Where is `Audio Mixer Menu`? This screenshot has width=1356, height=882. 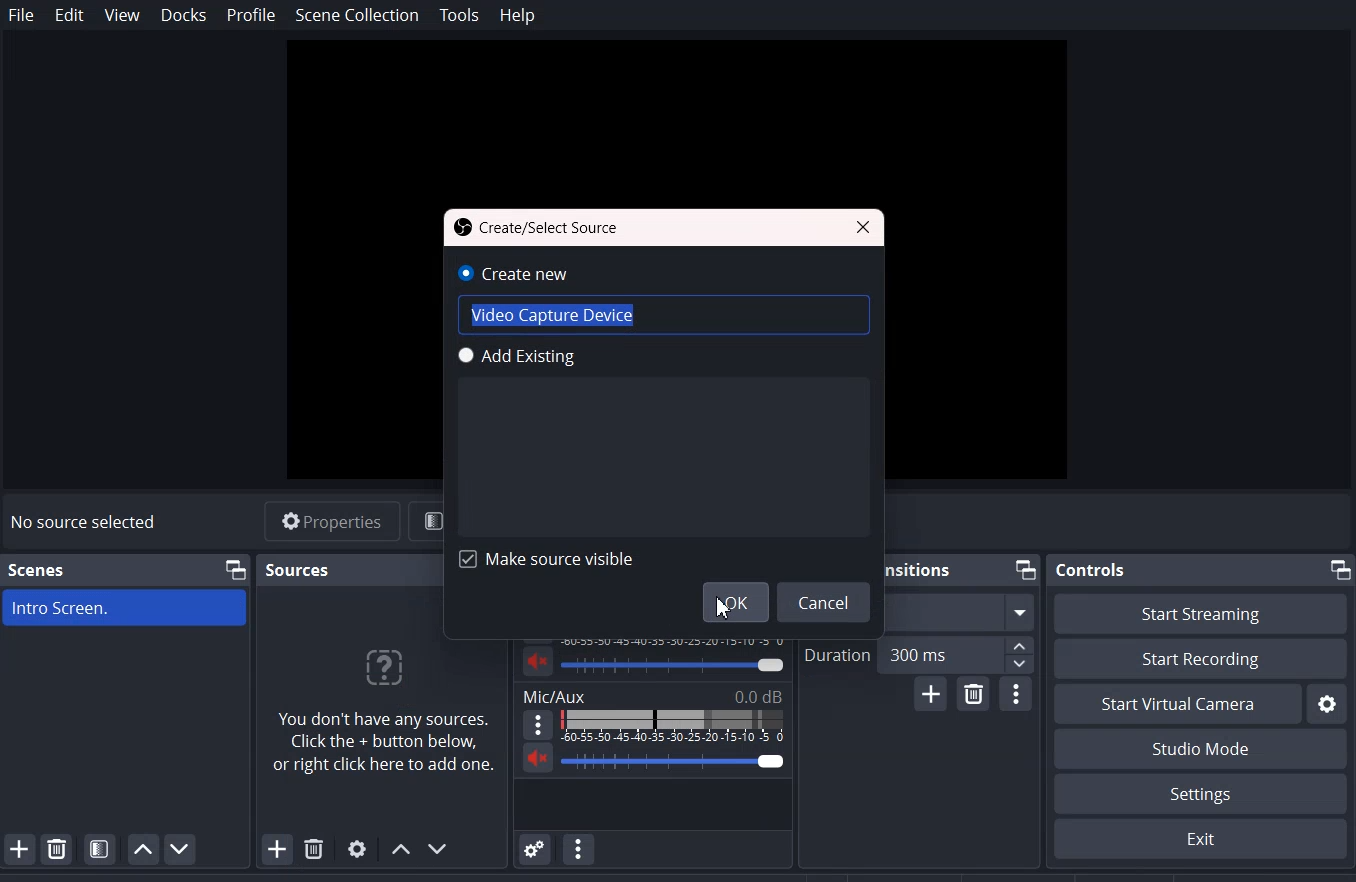
Audio Mixer Menu is located at coordinates (580, 848).